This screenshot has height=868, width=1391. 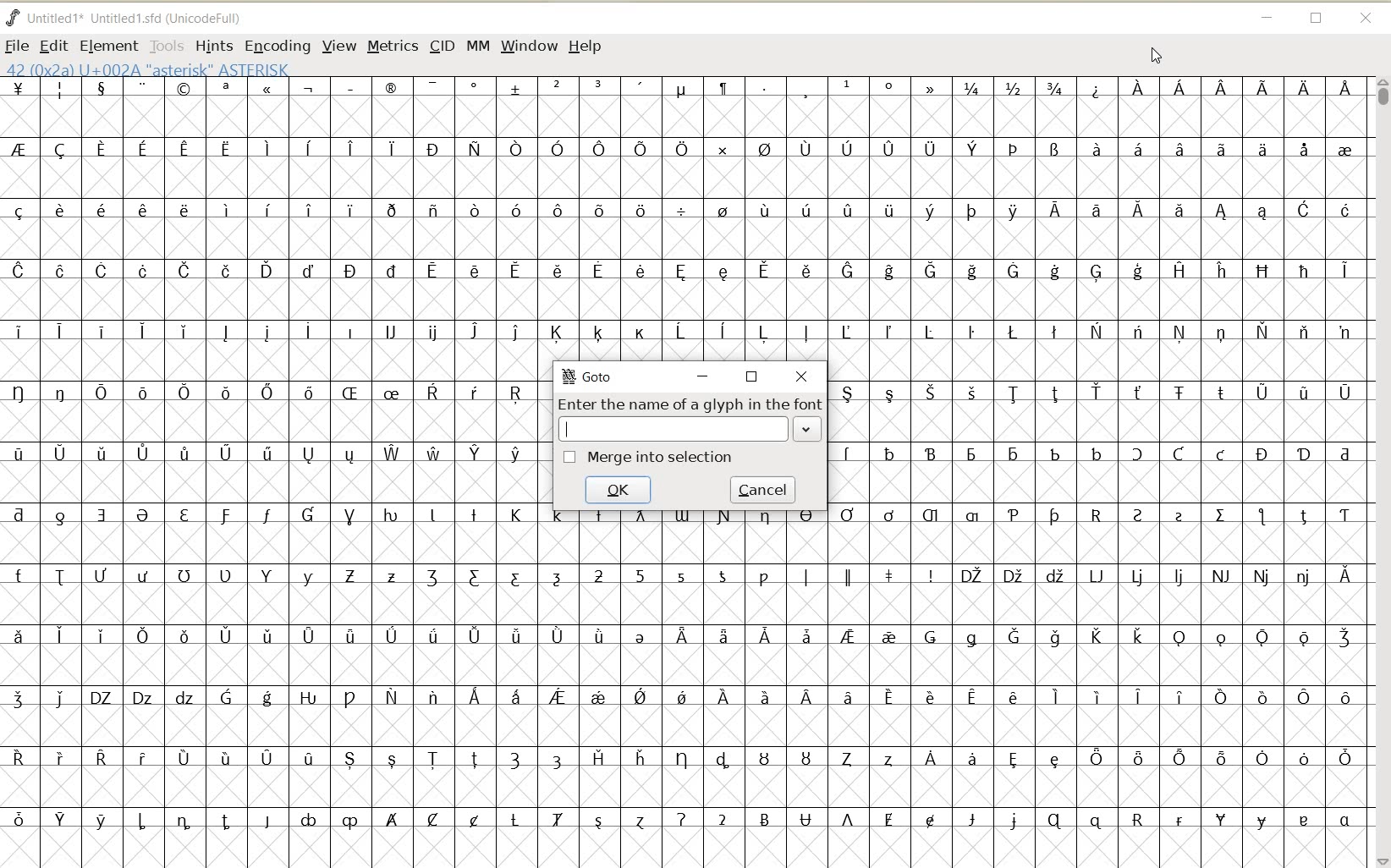 I want to click on ENCODING, so click(x=277, y=47).